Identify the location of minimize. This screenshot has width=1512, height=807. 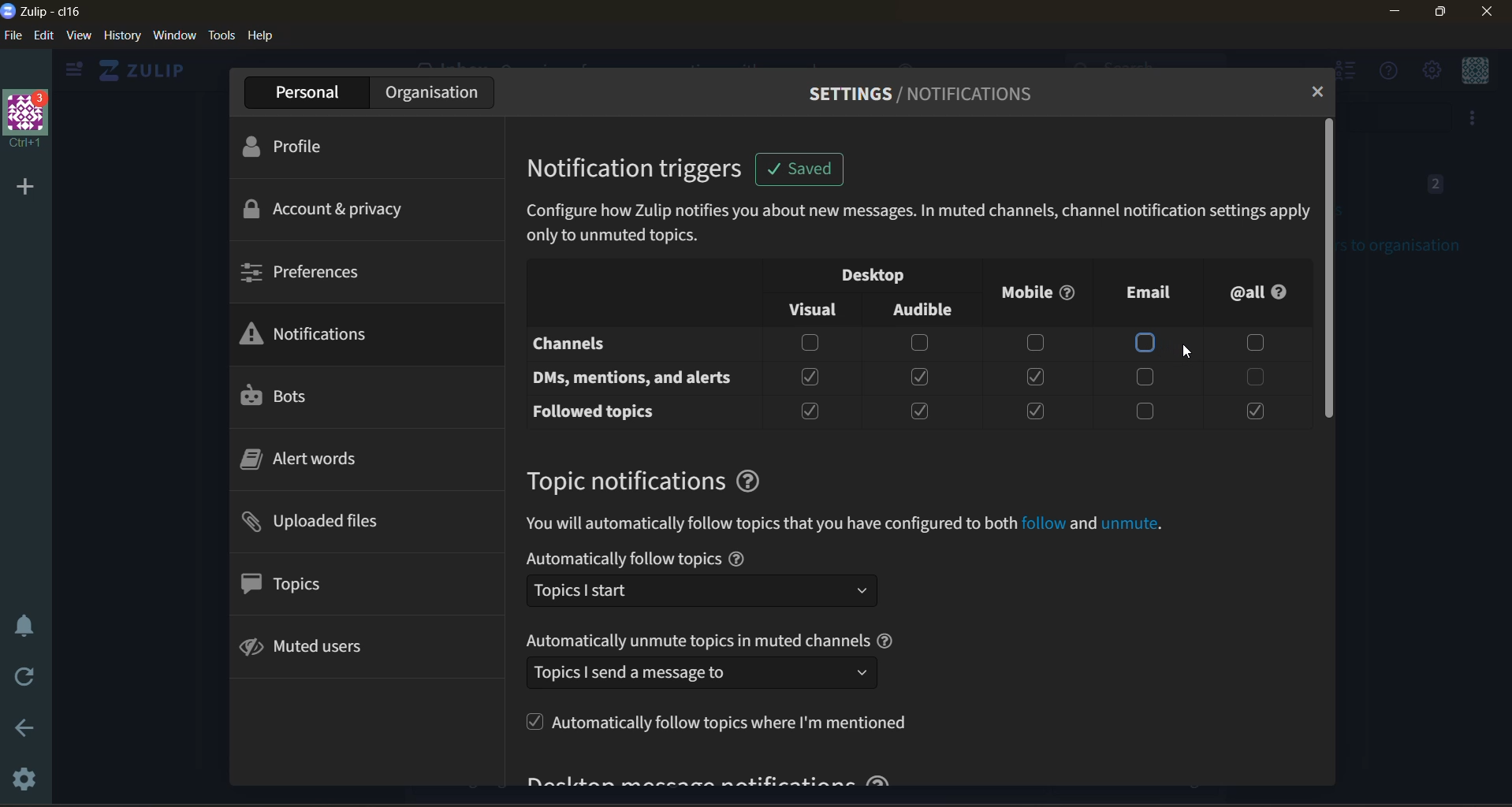
(1396, 11).